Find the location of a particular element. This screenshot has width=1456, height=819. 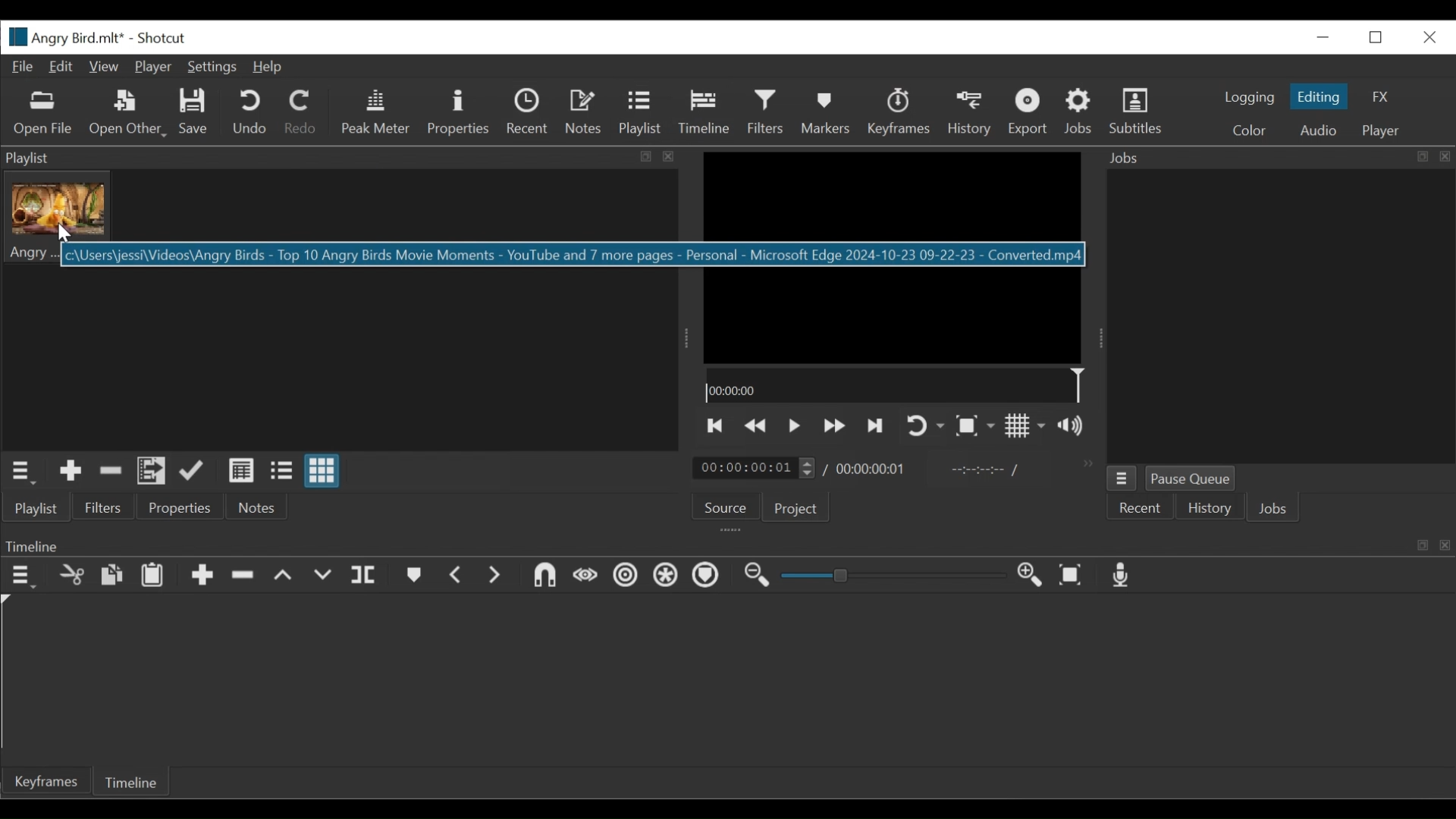

Update is located at coordinates (194, 472).